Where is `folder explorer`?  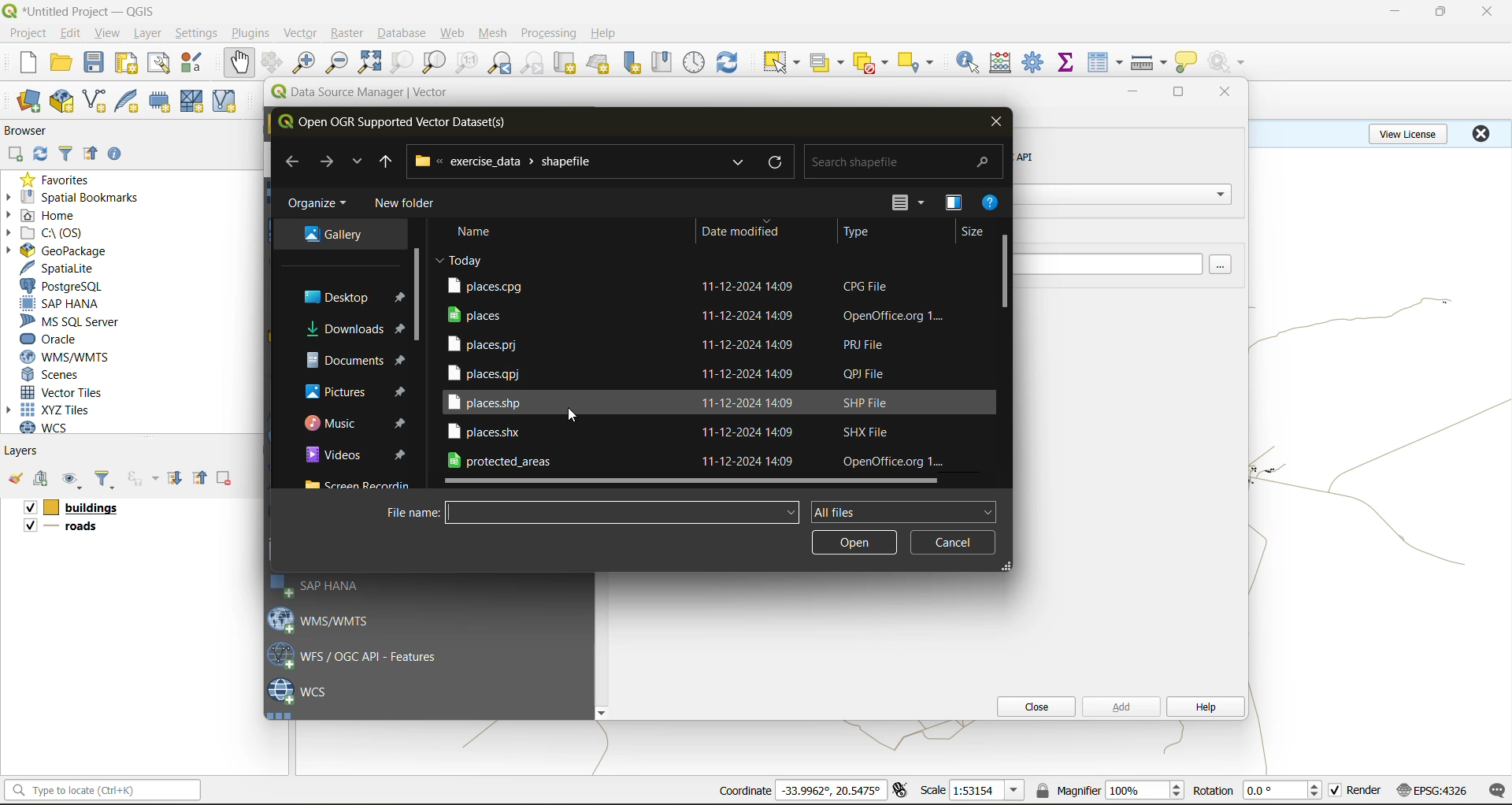 folder explorer is located at coordinates (356, 391).